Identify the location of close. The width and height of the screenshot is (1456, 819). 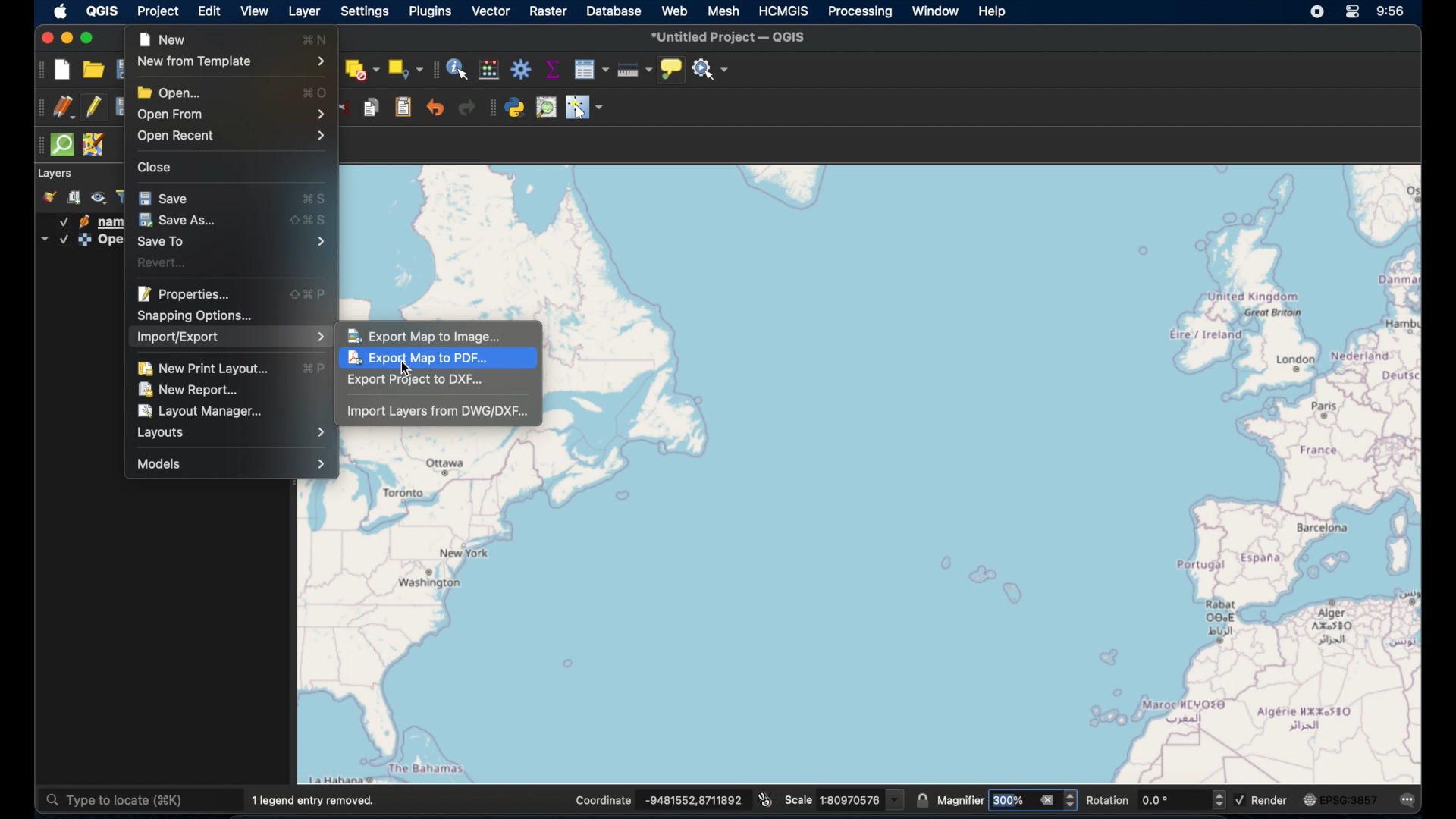
(155, 168).